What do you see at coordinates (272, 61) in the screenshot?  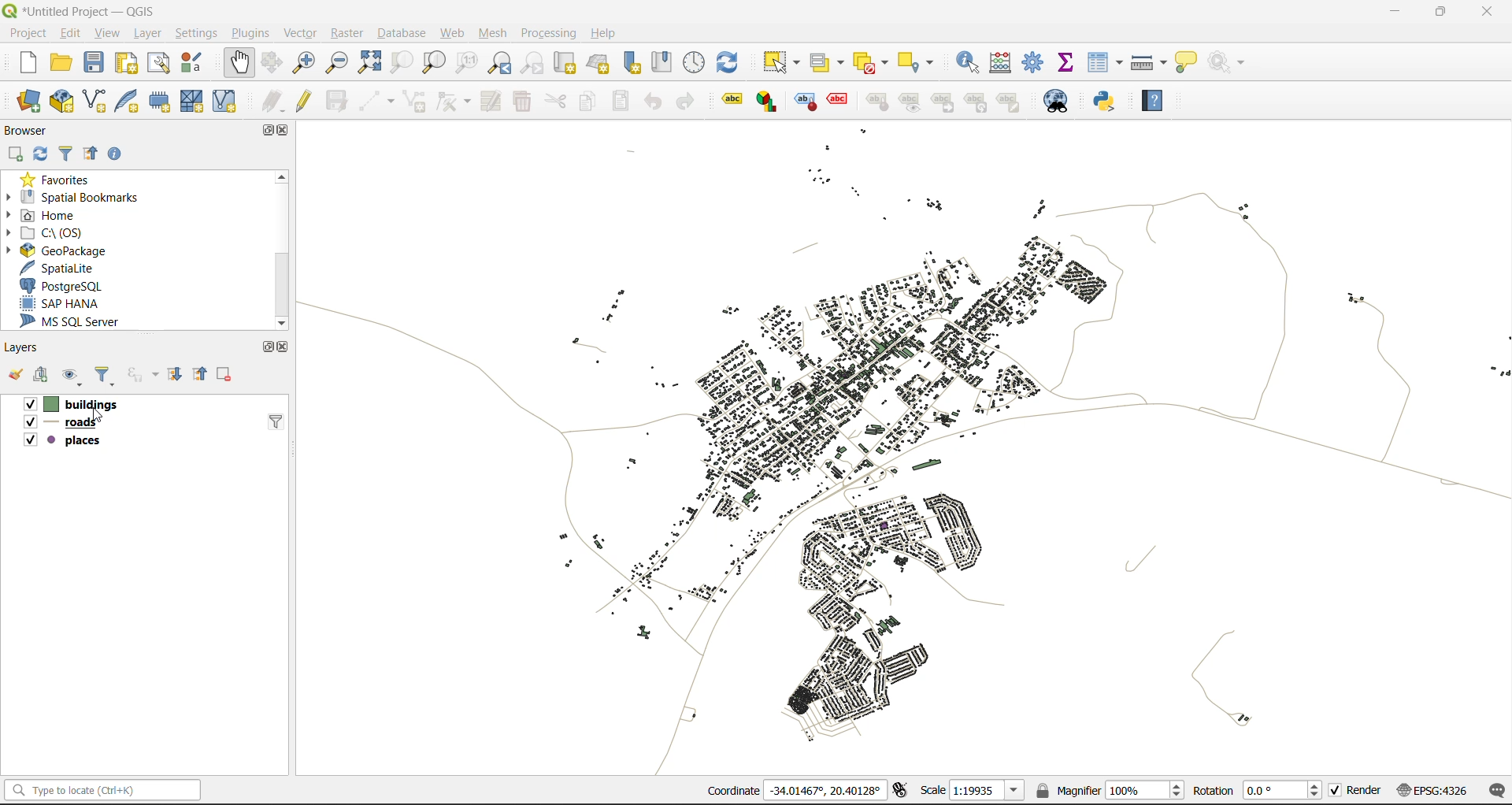 I see `pan selection` at bounding box center [272, 61].